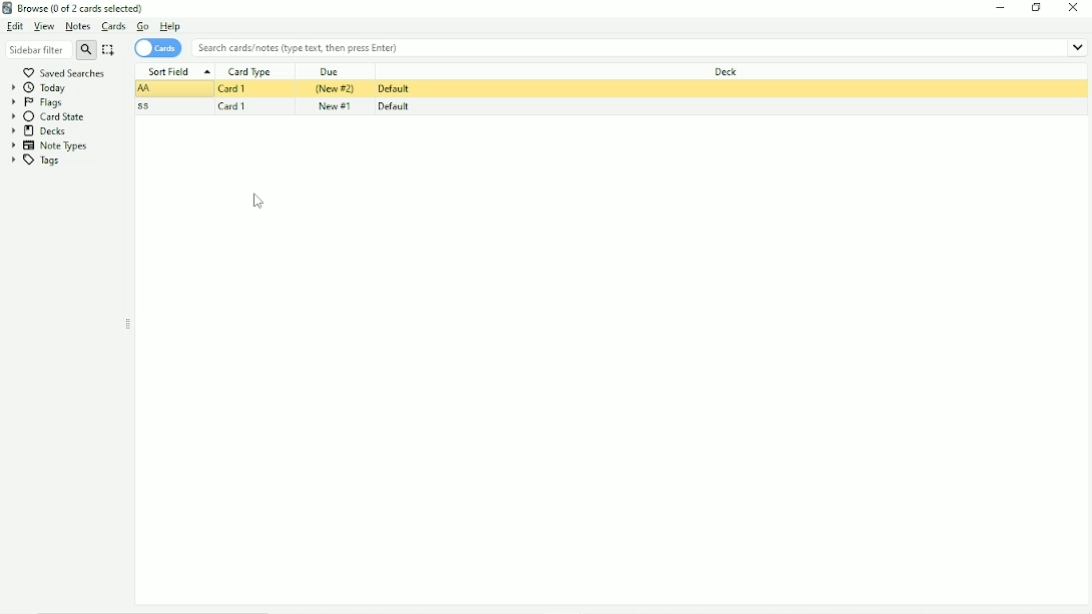 This screenshot has height=614, width=1092. I want to click on ss, so click(145, 106).